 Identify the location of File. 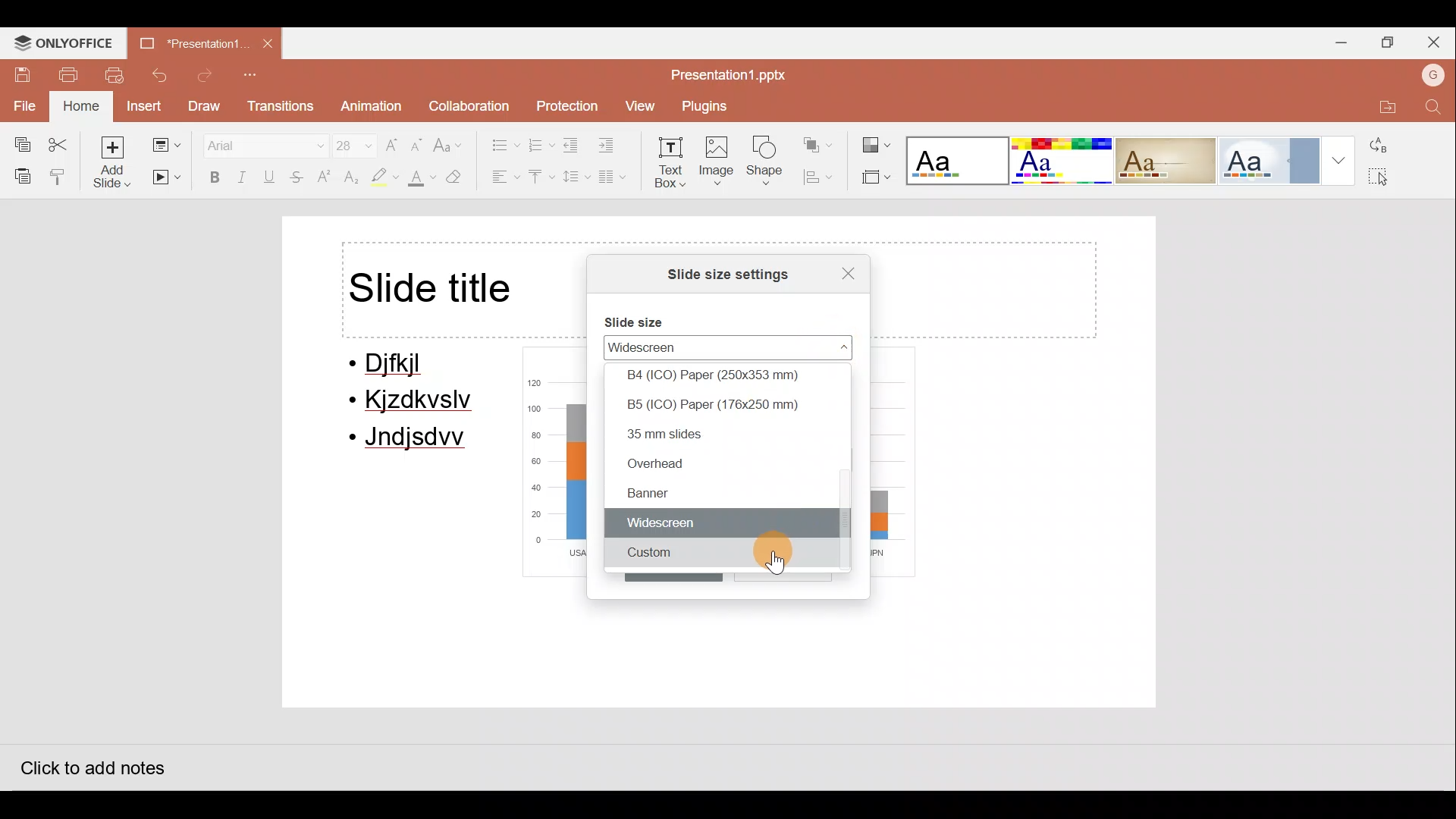
(23, 104).